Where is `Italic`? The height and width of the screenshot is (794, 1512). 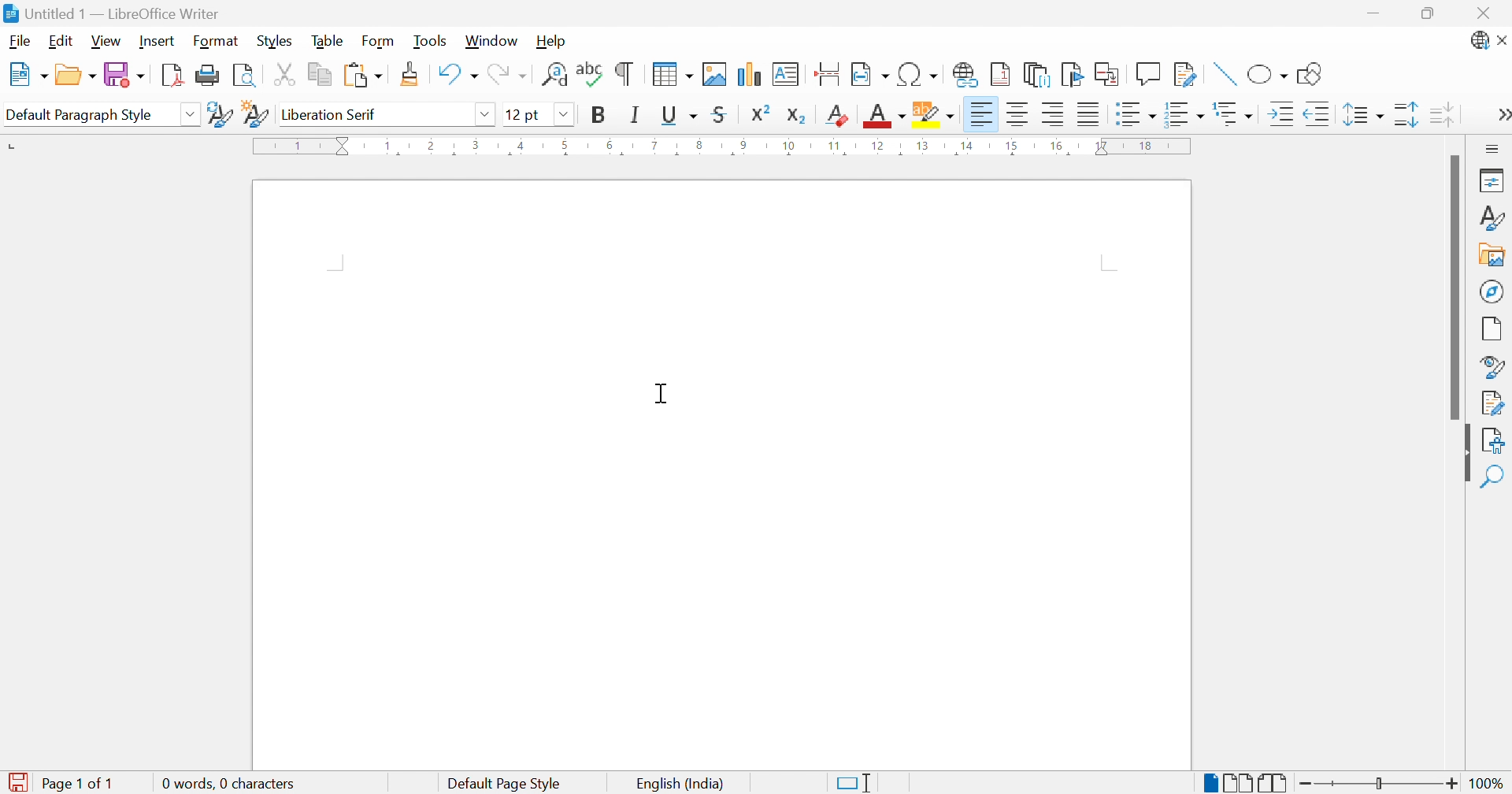
Italic is located at coordinates (636, 114).